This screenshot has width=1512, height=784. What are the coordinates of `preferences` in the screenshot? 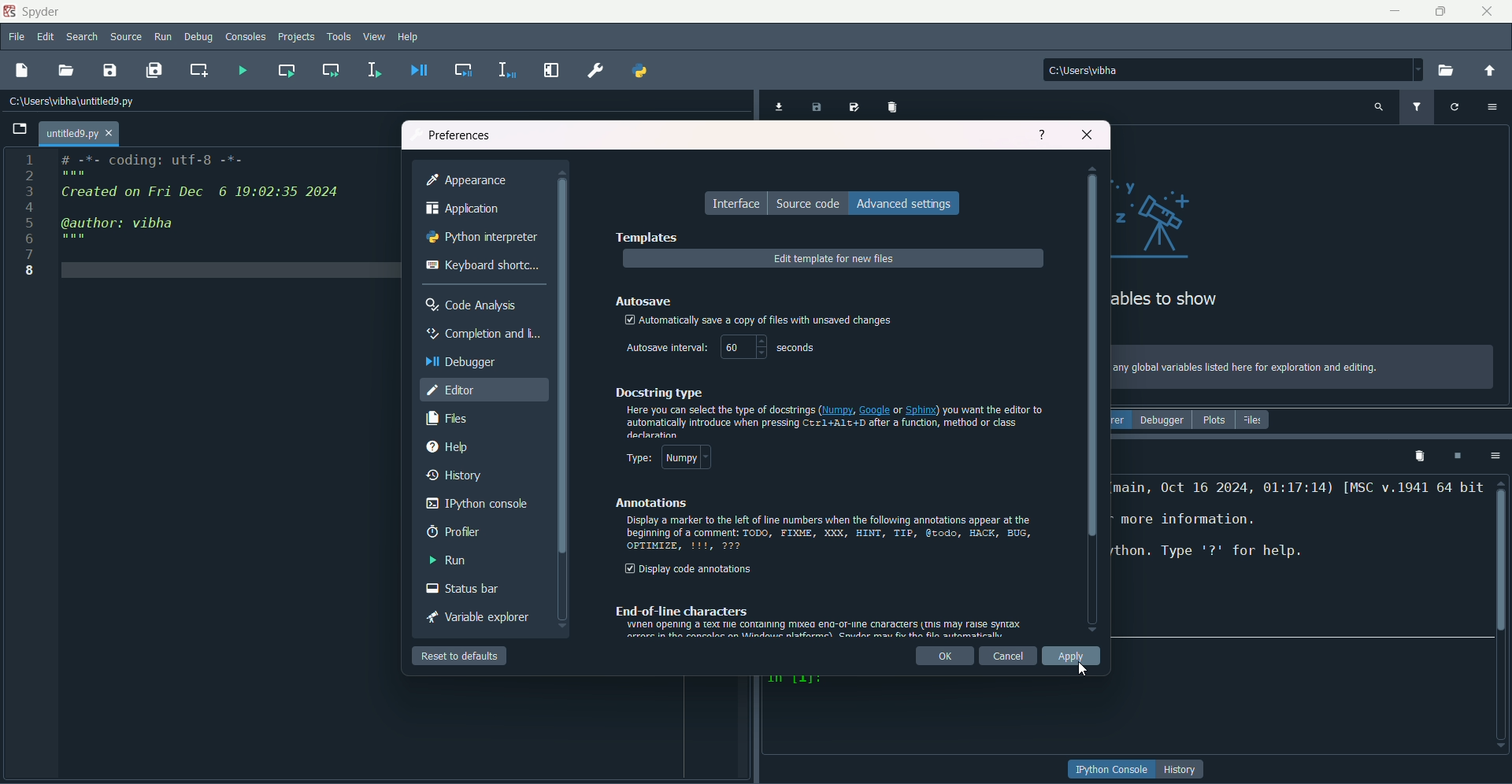 It's located at (460, 133).